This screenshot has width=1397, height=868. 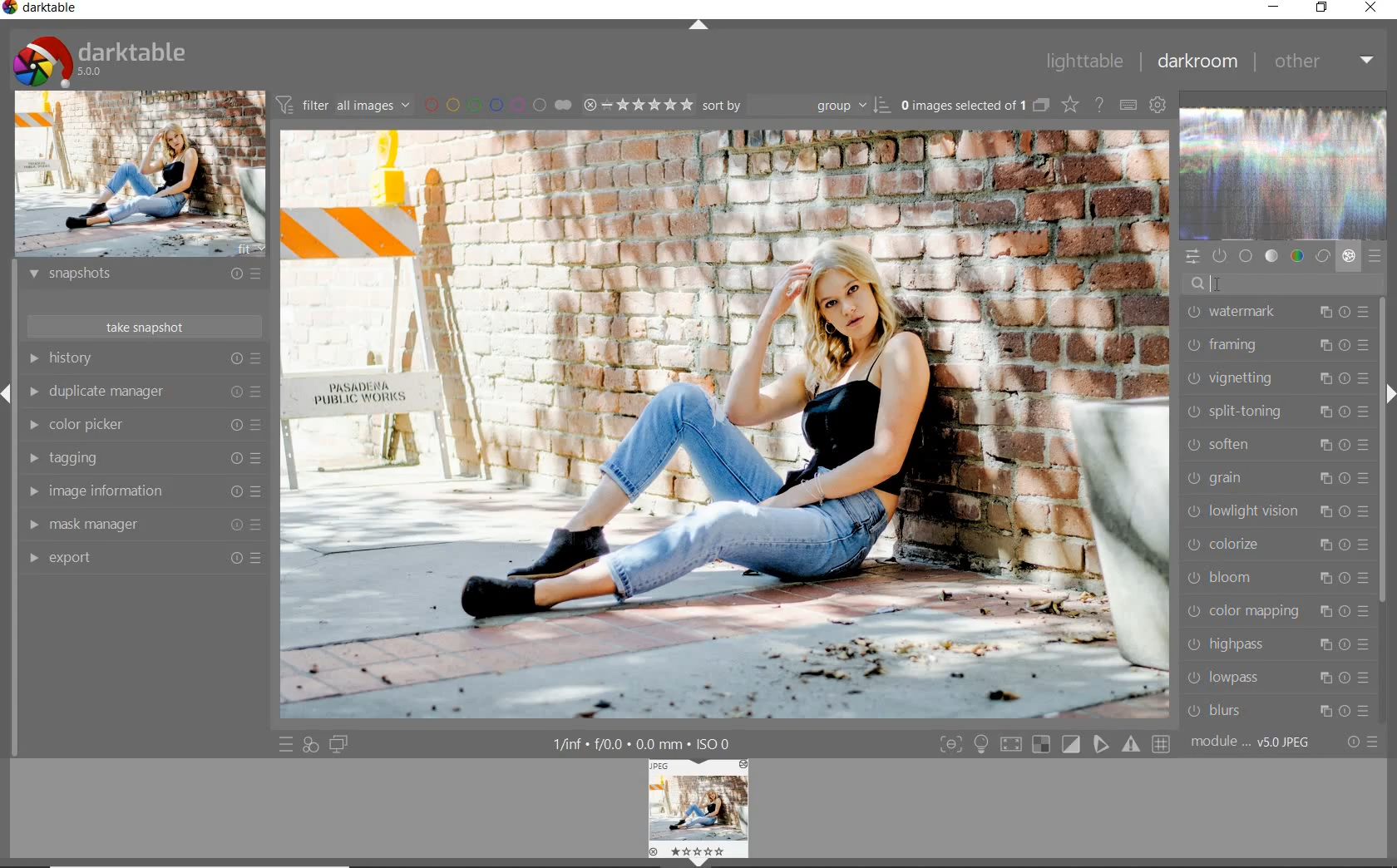 I want to click on tagging, so click(x=144, y=457).